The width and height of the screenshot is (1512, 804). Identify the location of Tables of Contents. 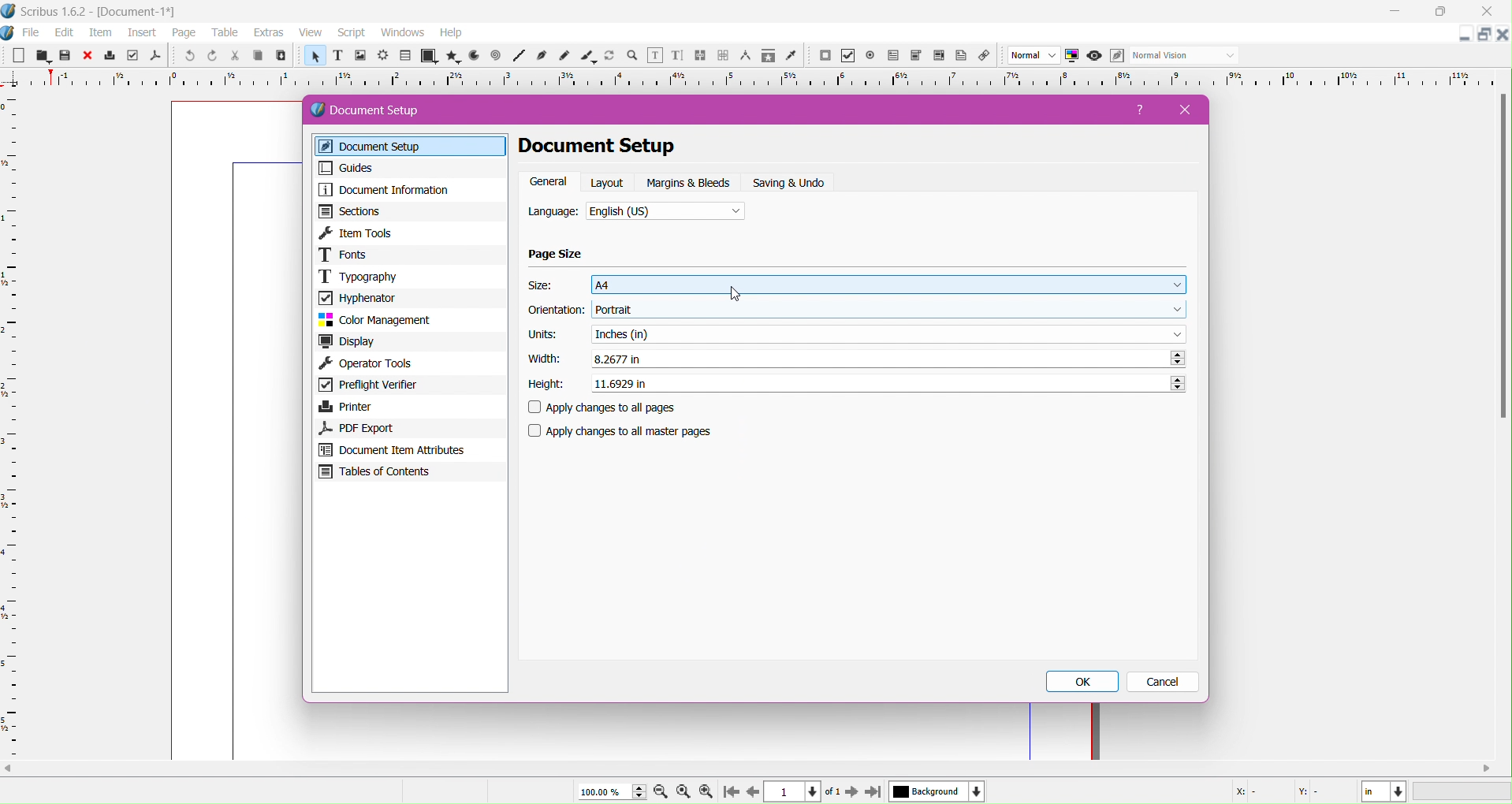
(409, 474).